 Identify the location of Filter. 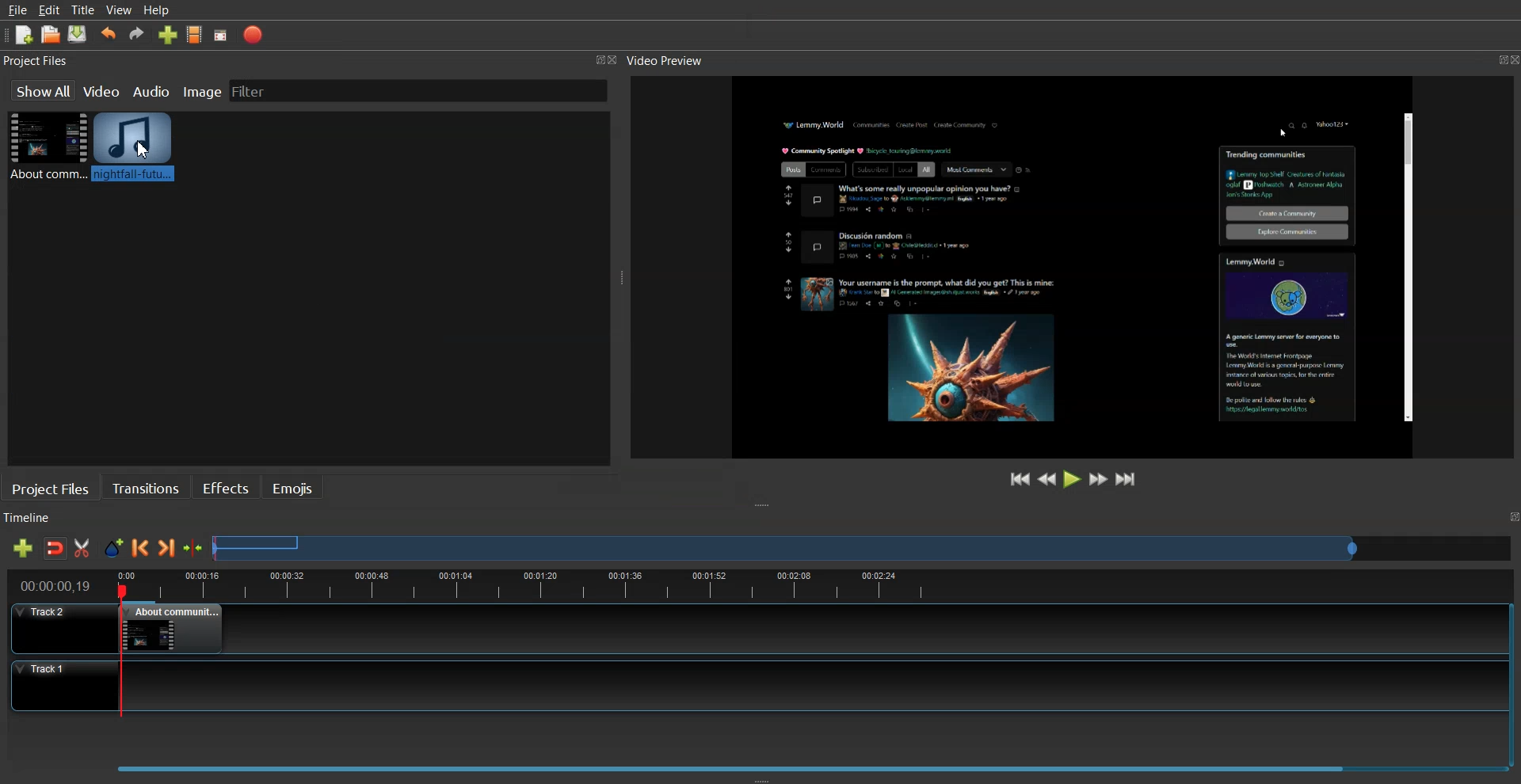
(262, 90).